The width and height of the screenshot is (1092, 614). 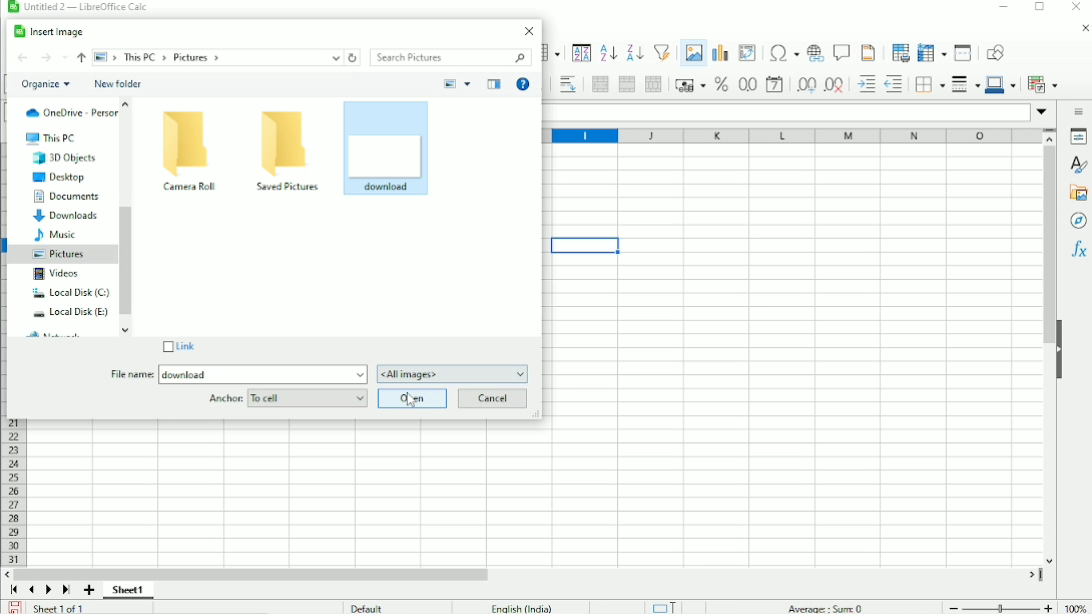 What do you see at coordinates (184, 374) in the screenshot?
I see `download` at bounding box center [184, 374].